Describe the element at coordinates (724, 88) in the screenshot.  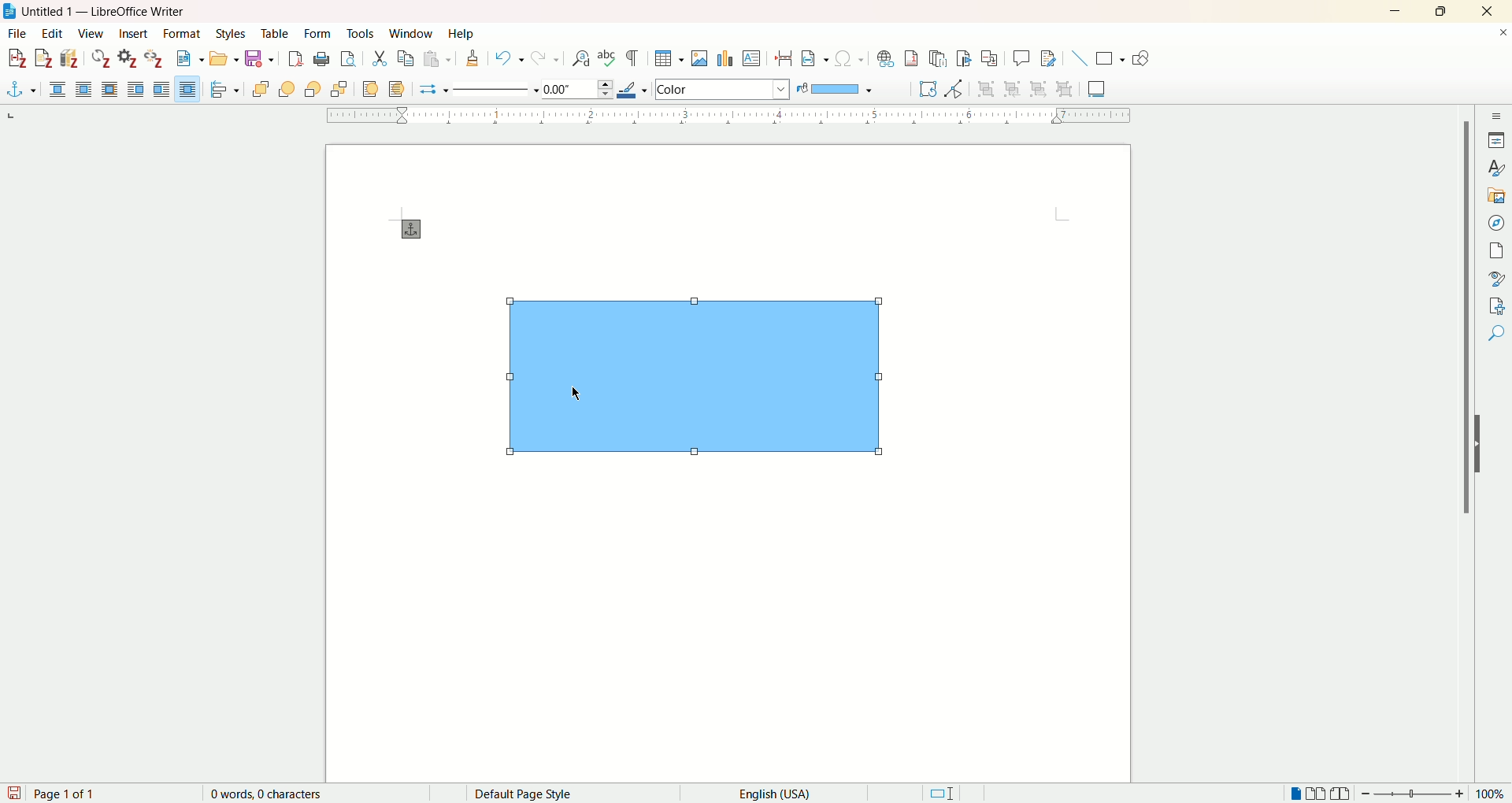
I see `area styling` at that location.